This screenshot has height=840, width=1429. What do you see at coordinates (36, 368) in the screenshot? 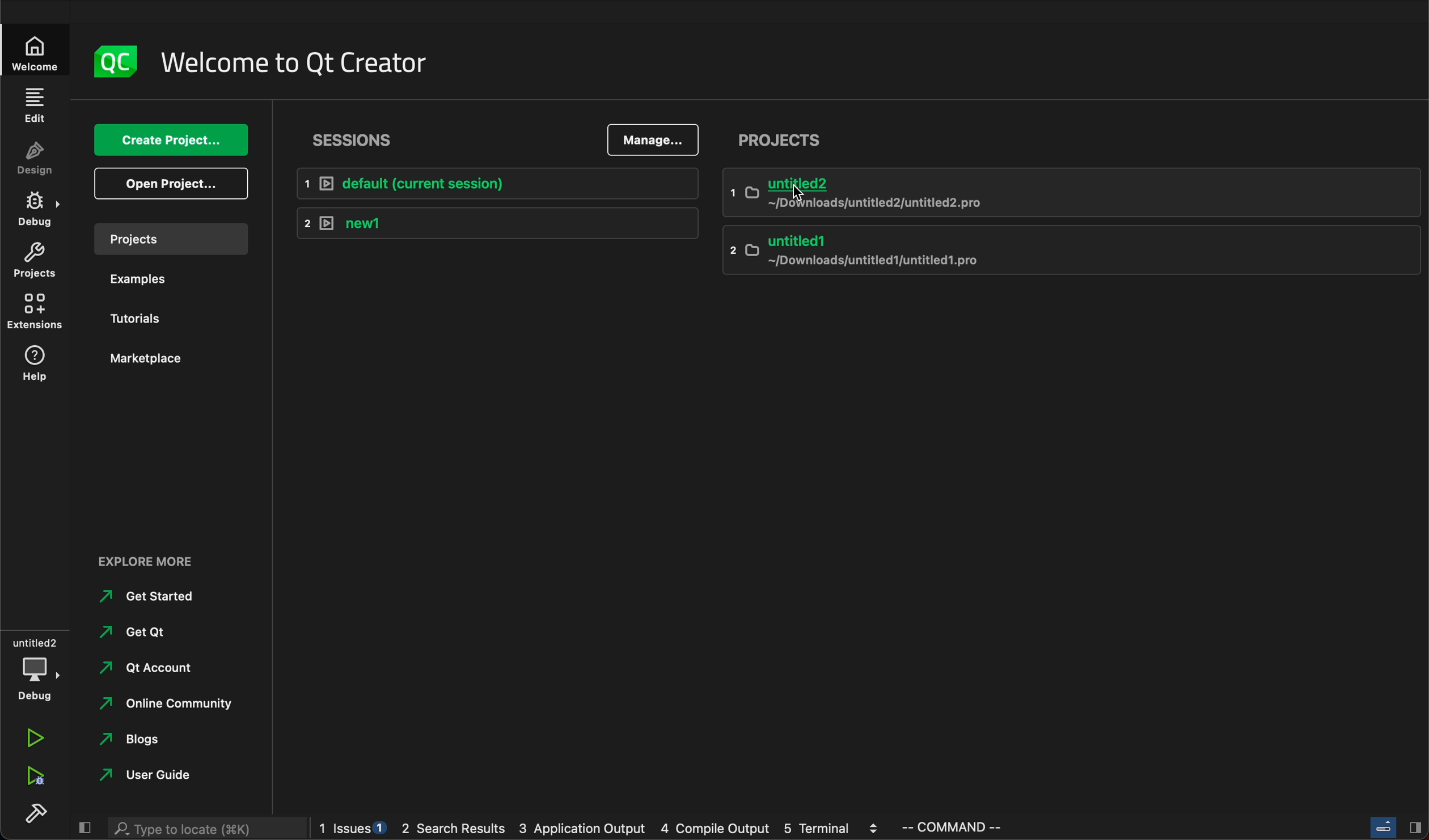
I see `help` at bounding box center [36, 368].